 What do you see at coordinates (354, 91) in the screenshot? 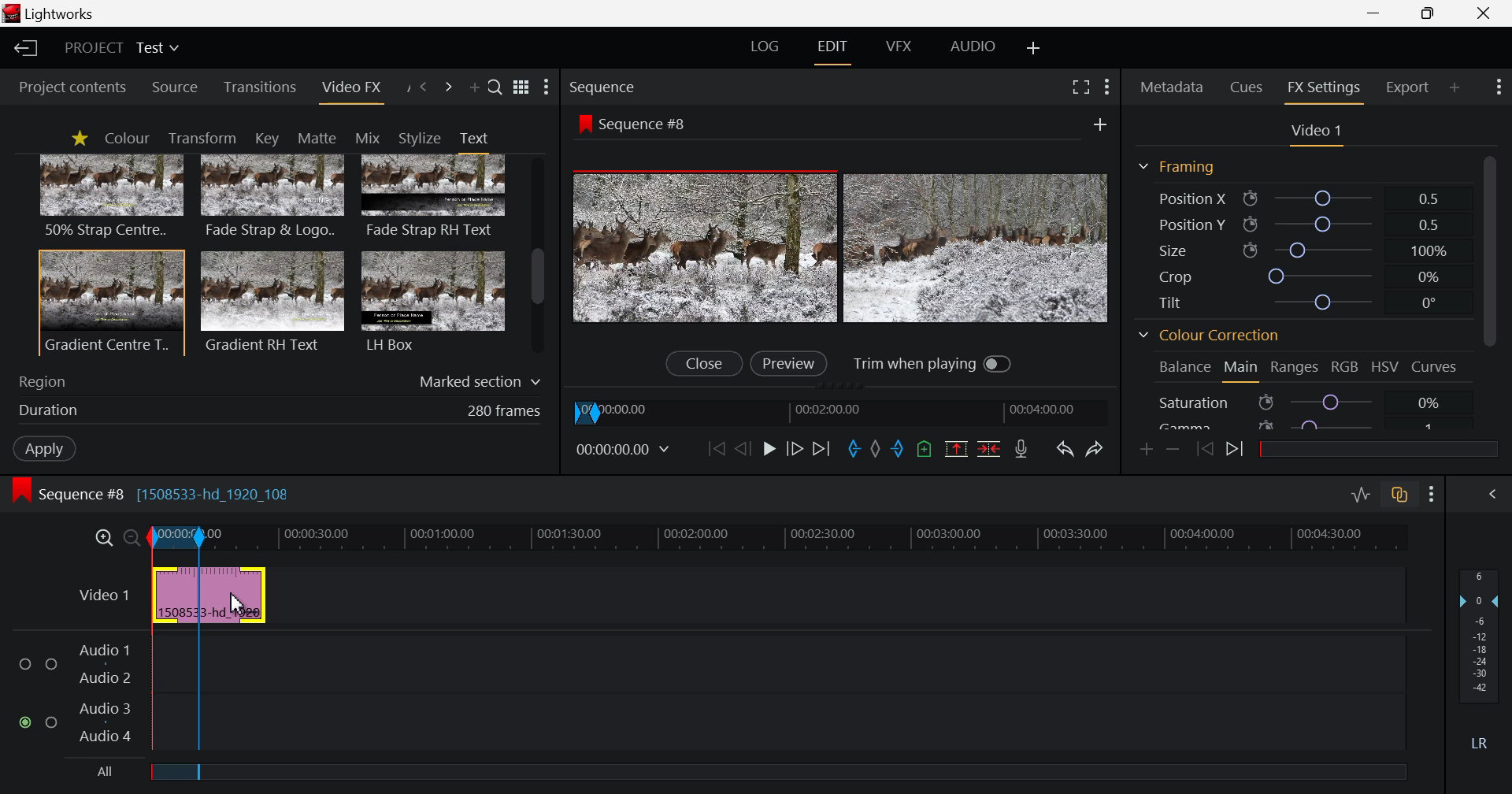
I see `Video FX Panel Open` at bounding box center [354, 91].